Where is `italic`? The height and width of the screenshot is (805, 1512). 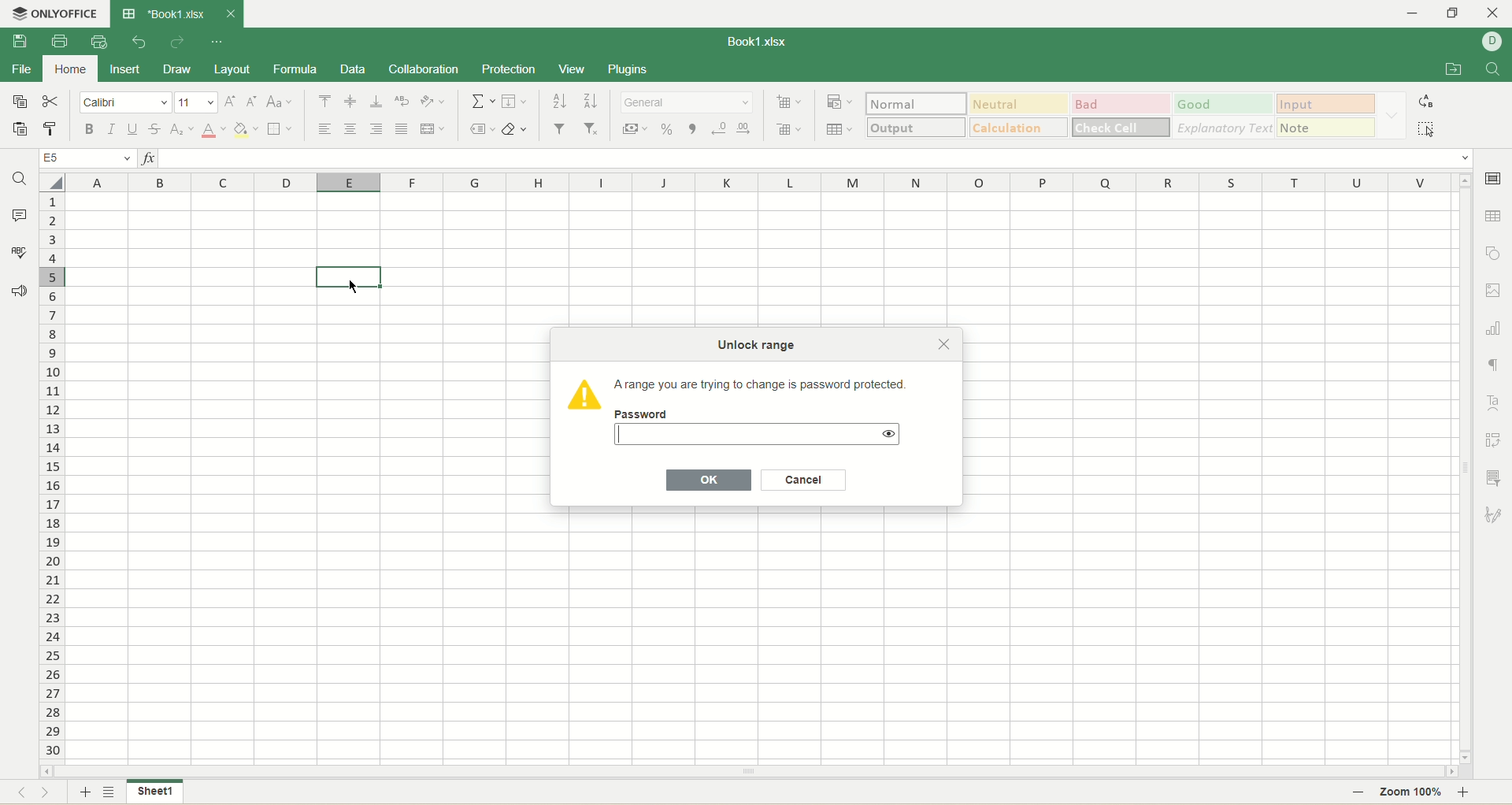
italic is located at coordinates (112, 130).